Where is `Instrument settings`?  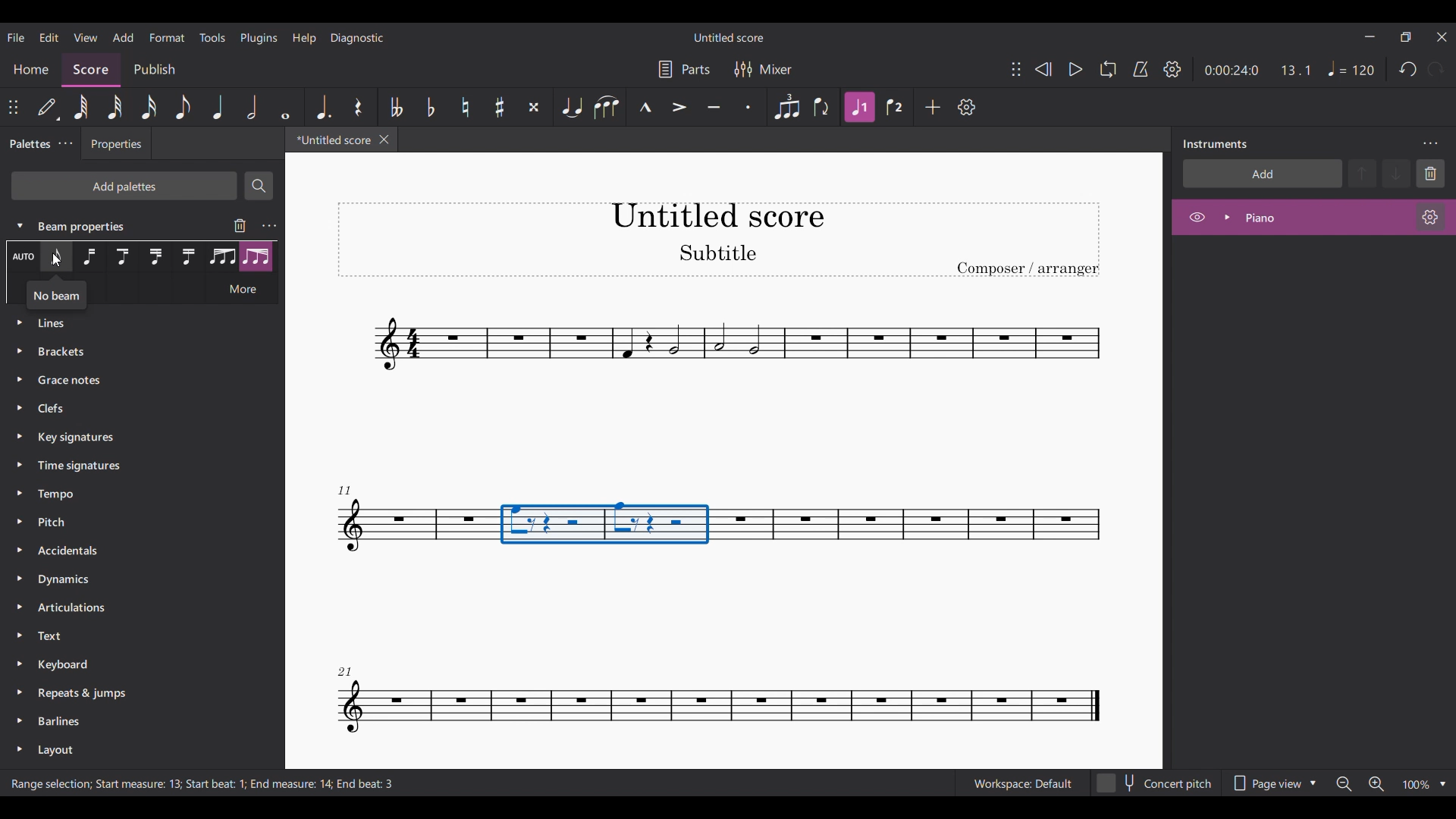 Instrument settings is located at coordinates (1431, 217).